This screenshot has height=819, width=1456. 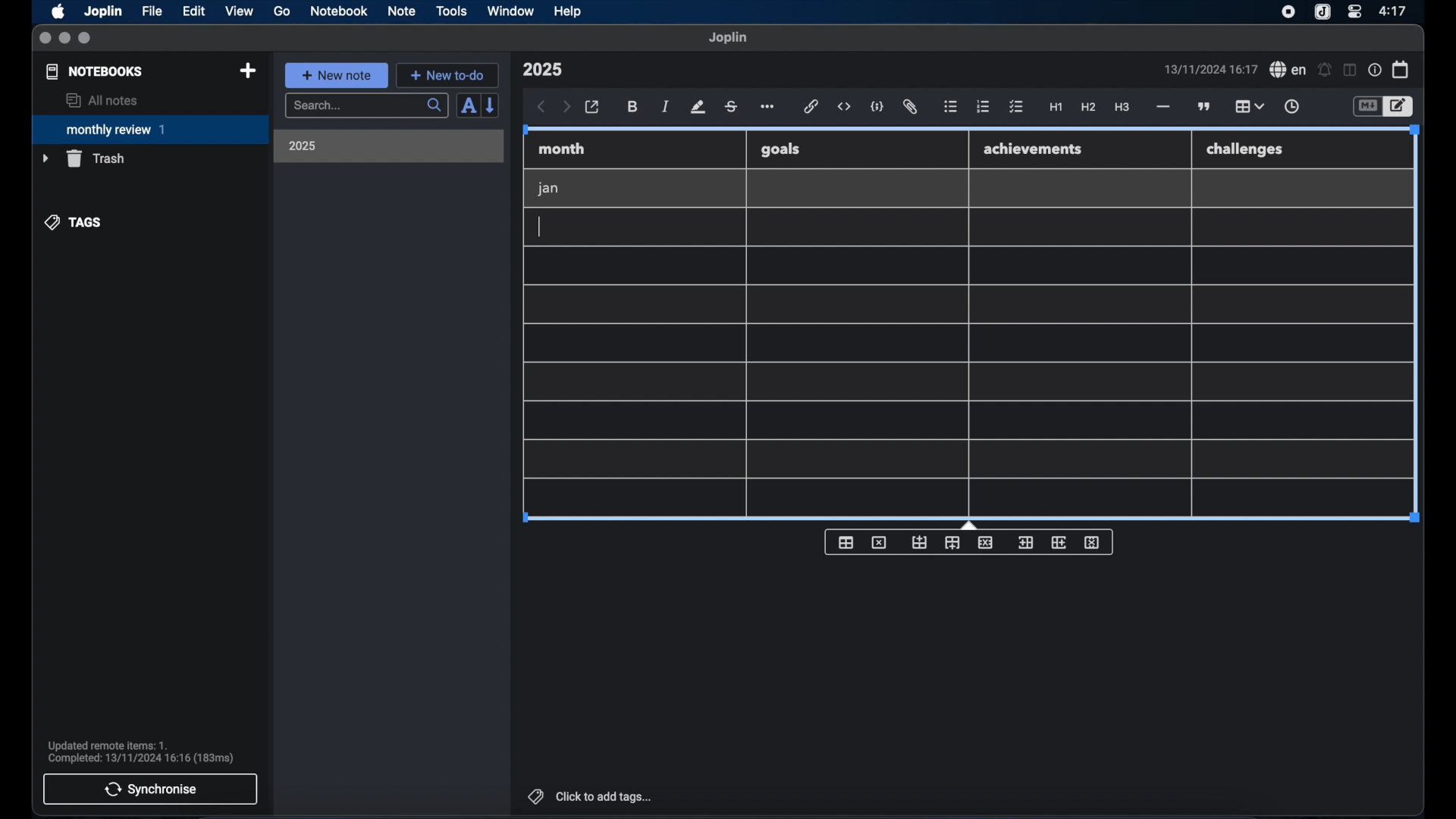 I want to click on strikethrough, so click(x=730, y=107).